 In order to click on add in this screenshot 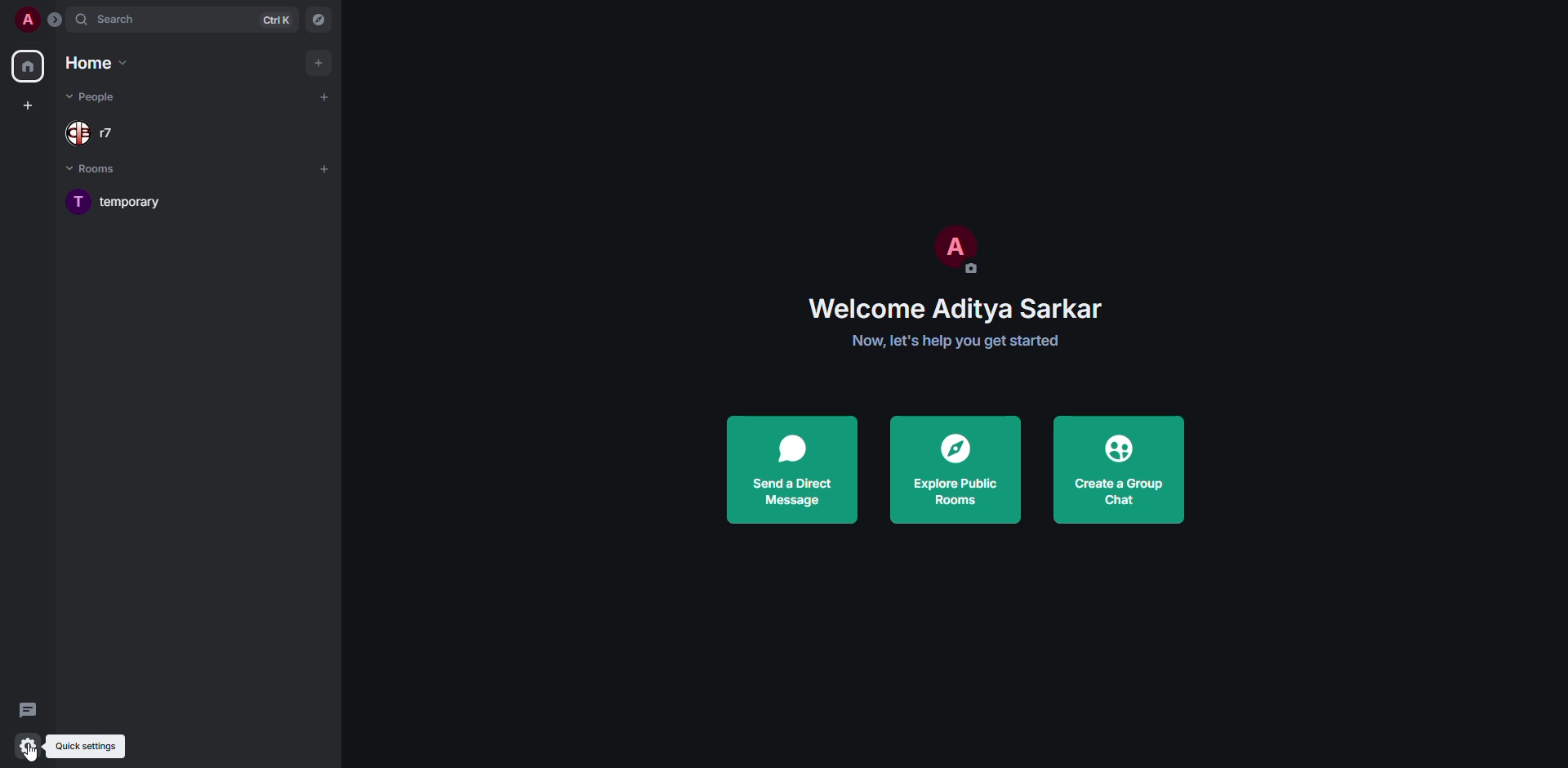, I will do `click(319, 60)`.